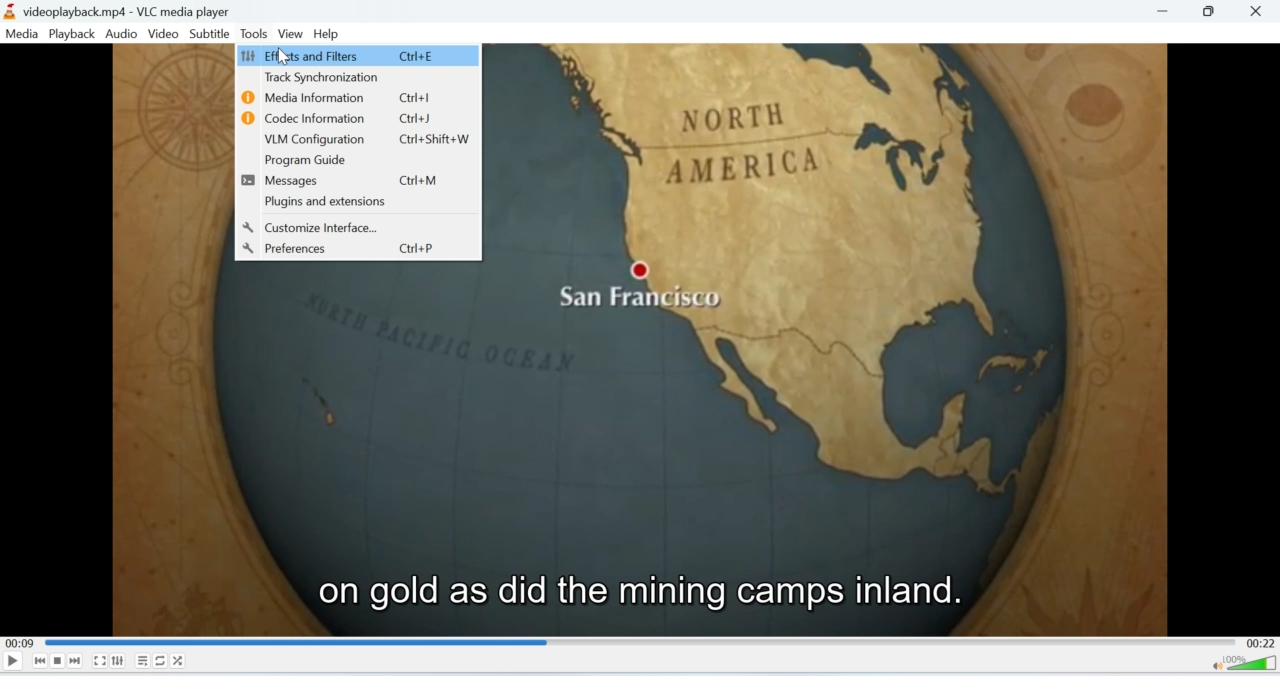 This screenshot has width=1280, height=676. I want to click on Program Guide, so click(308, 162).